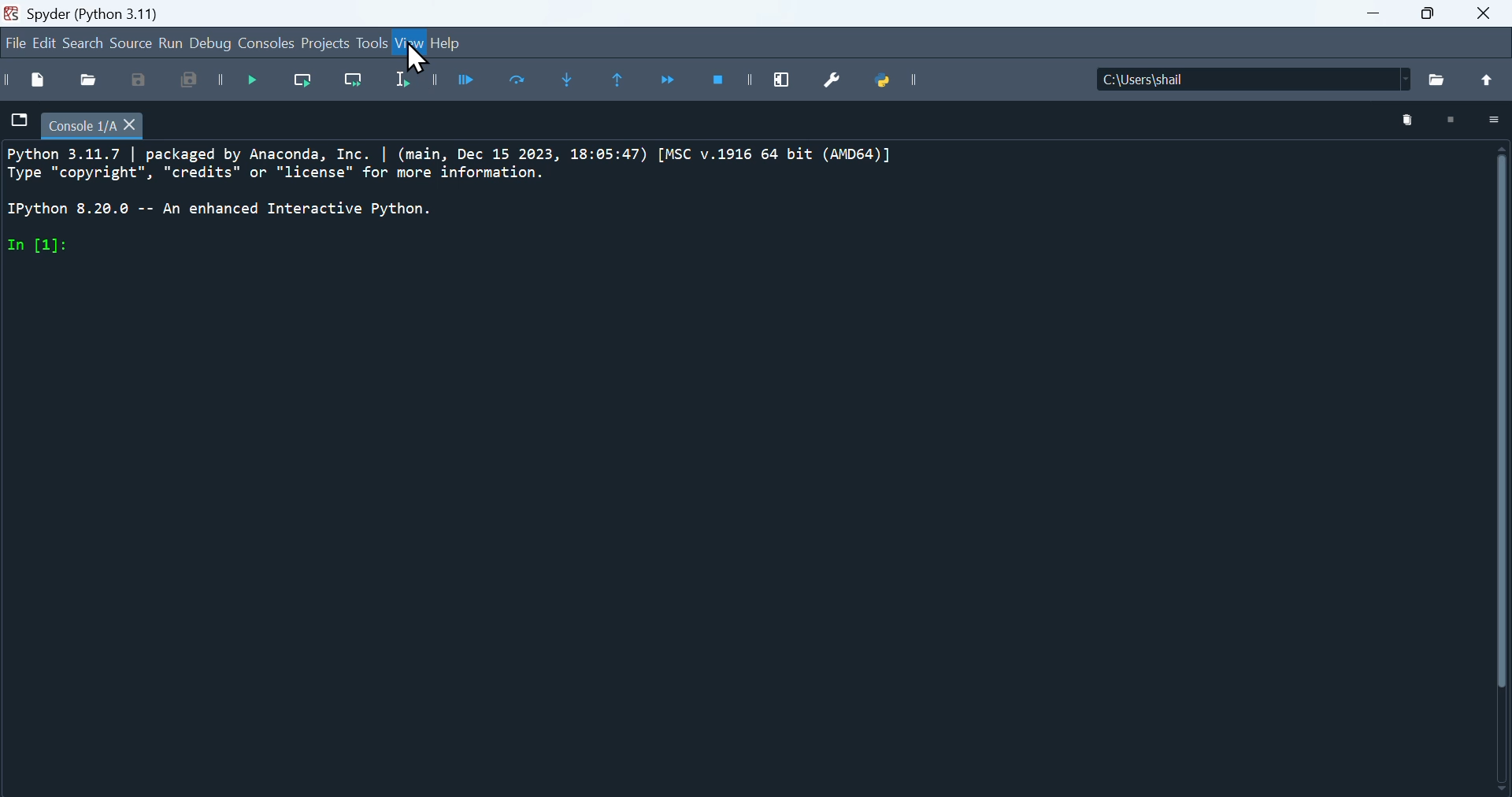 This screenshot has width=1512, height=797. Describe the element at coordinates (358, 84) in the screenshot. I see `Run current line and go to the next one` at that location.